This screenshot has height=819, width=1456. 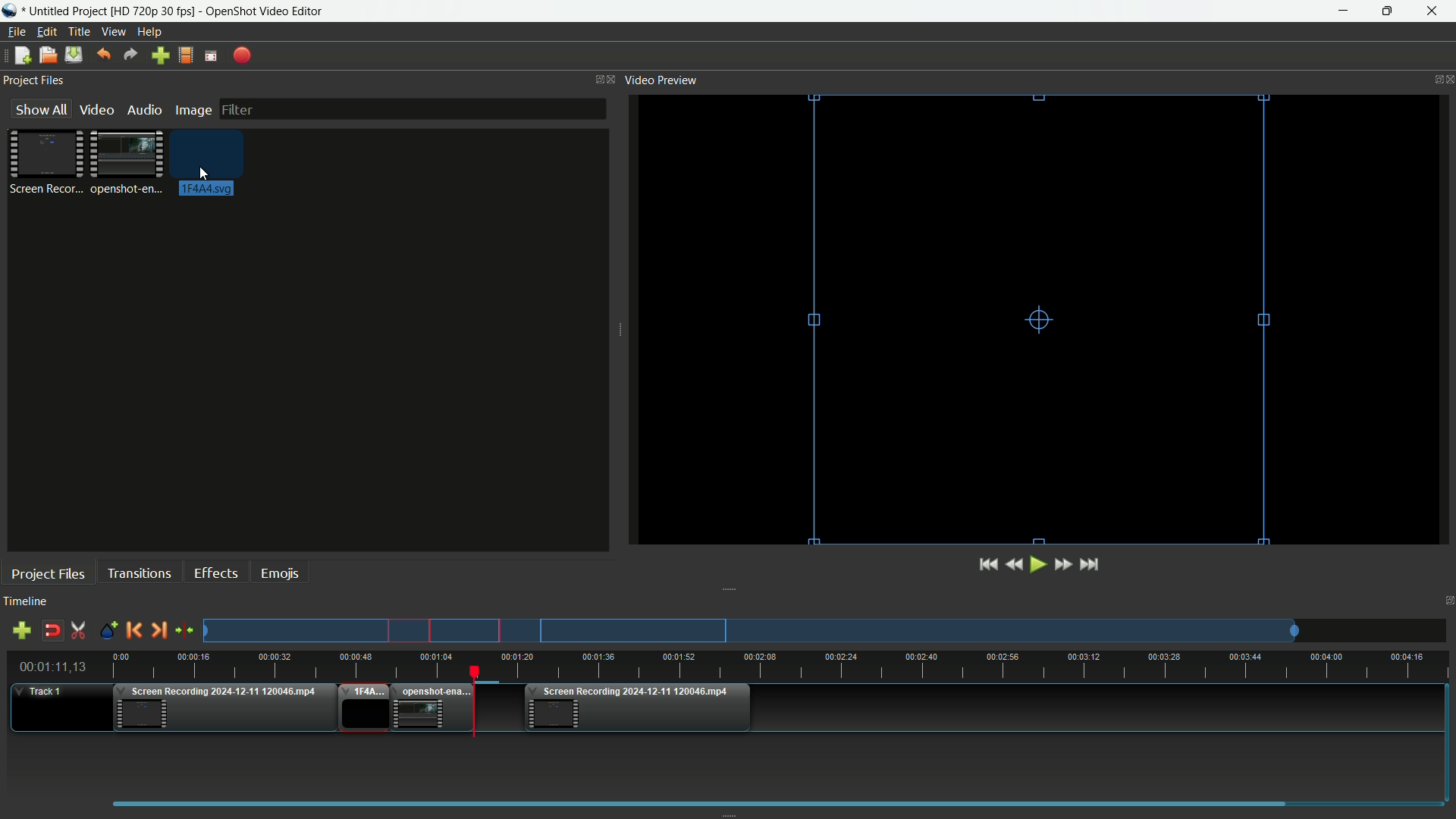 I want to click on Profile name, so click(x=154, y=12).